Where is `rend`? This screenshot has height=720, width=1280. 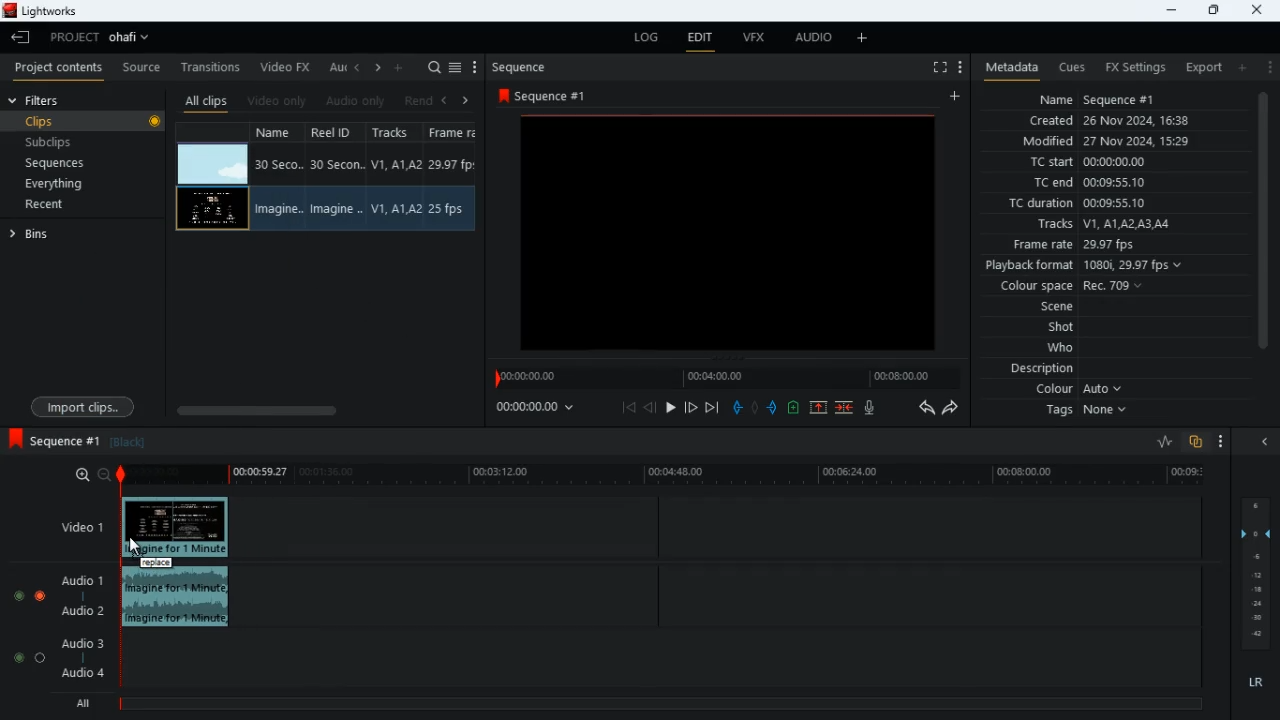 rend is located at coordinates (418, 102).